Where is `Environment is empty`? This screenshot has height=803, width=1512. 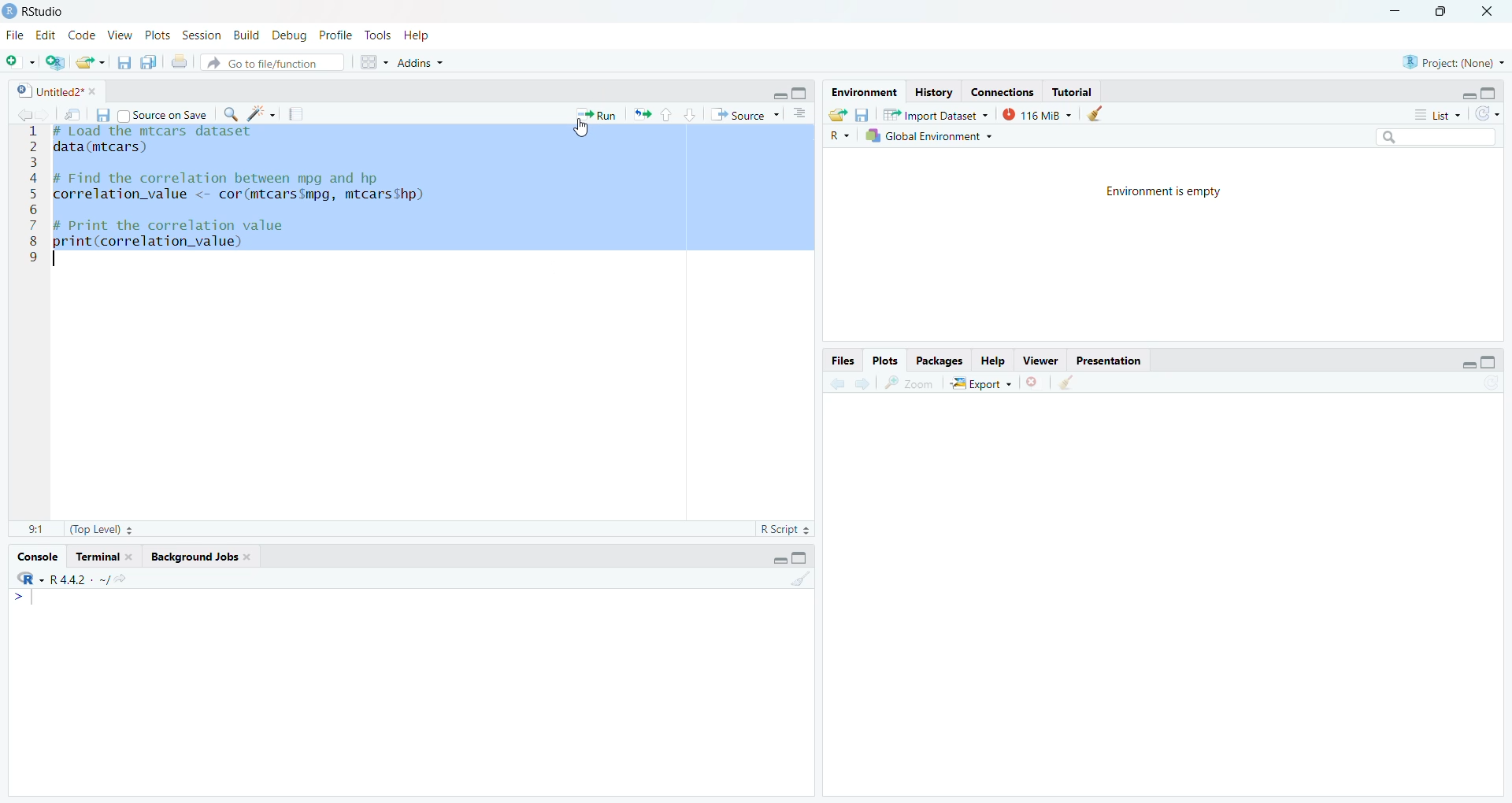 Environment is empty is located at coordinates (1173, 192).